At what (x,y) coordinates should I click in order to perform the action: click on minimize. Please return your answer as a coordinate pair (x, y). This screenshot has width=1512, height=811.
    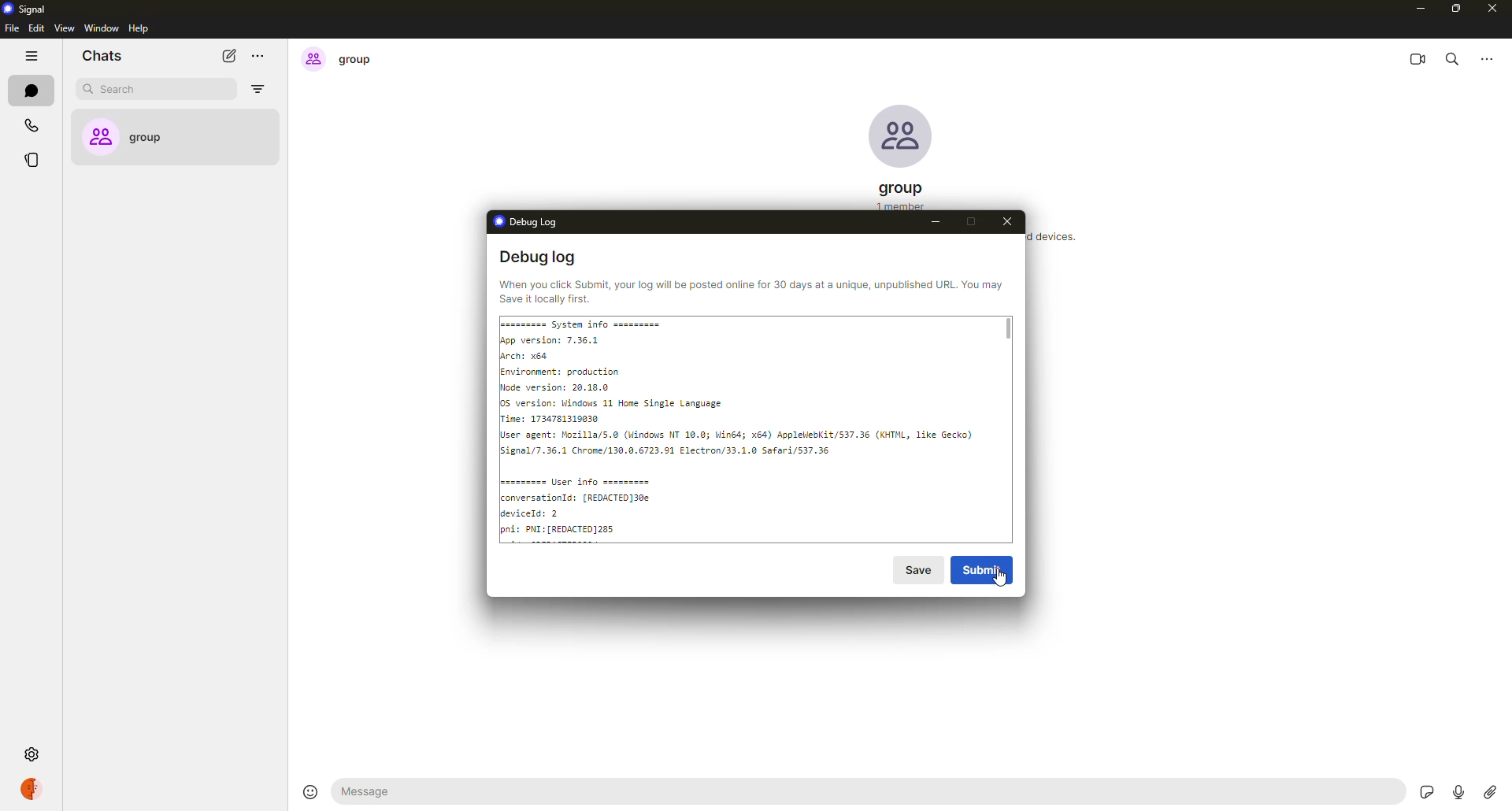
    Looking at the image, I should click on (936, 223).